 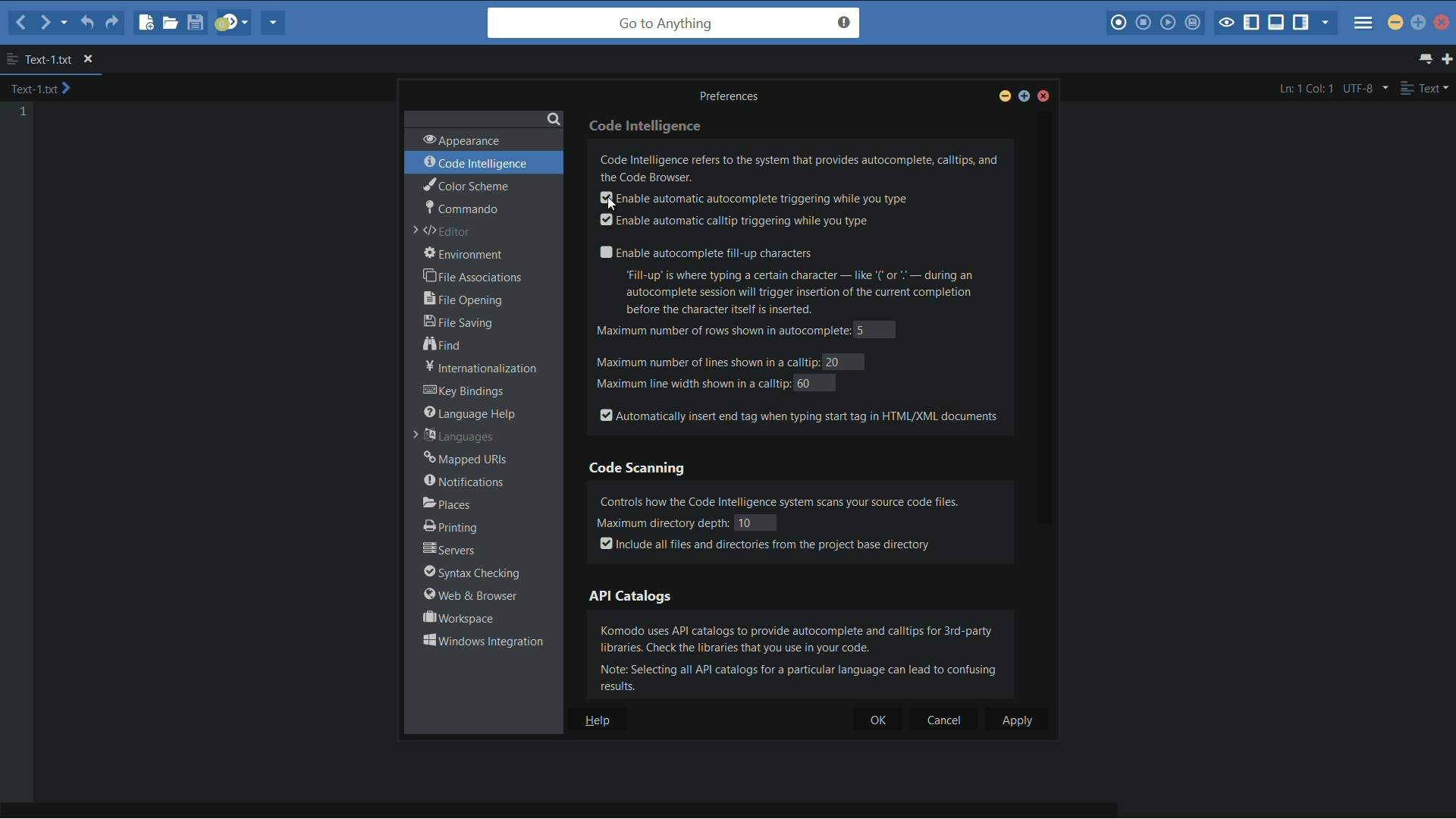 What do you see at coordinates (465, 255) in the screenshot?
I see `environment` at bounding box center [465, 255].